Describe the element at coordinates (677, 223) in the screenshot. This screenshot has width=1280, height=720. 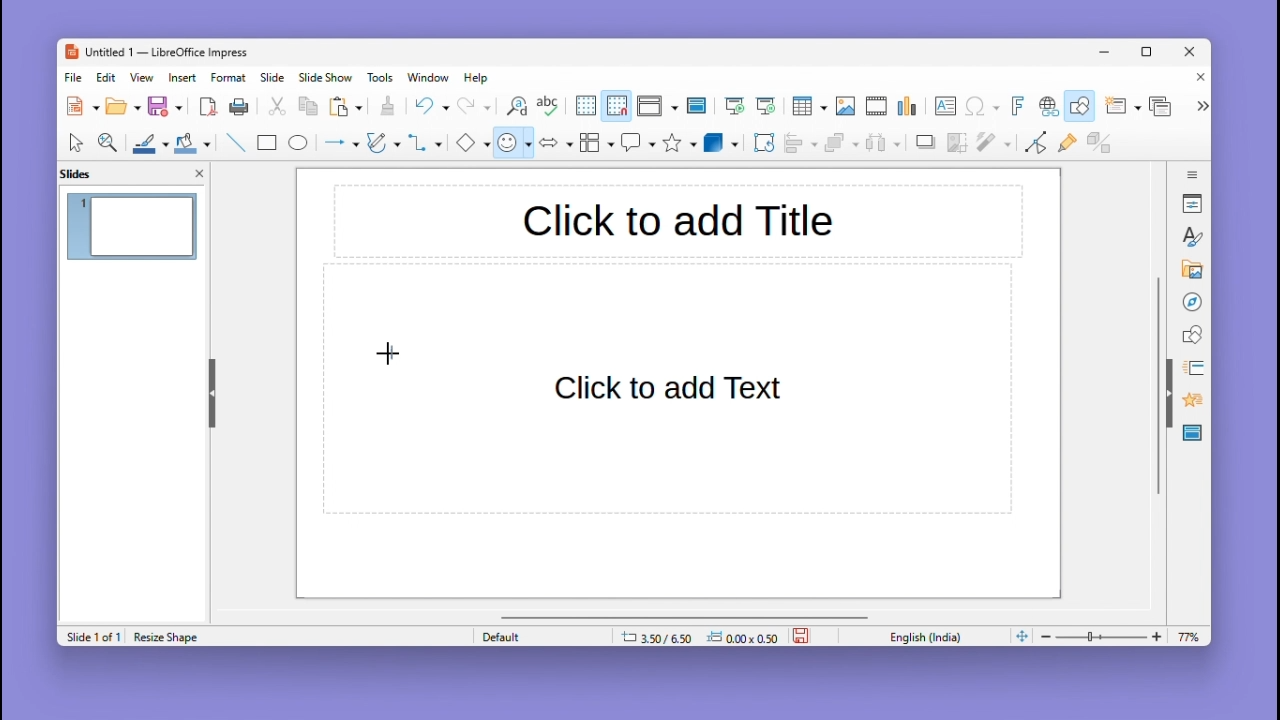
I see `Title` at that location.